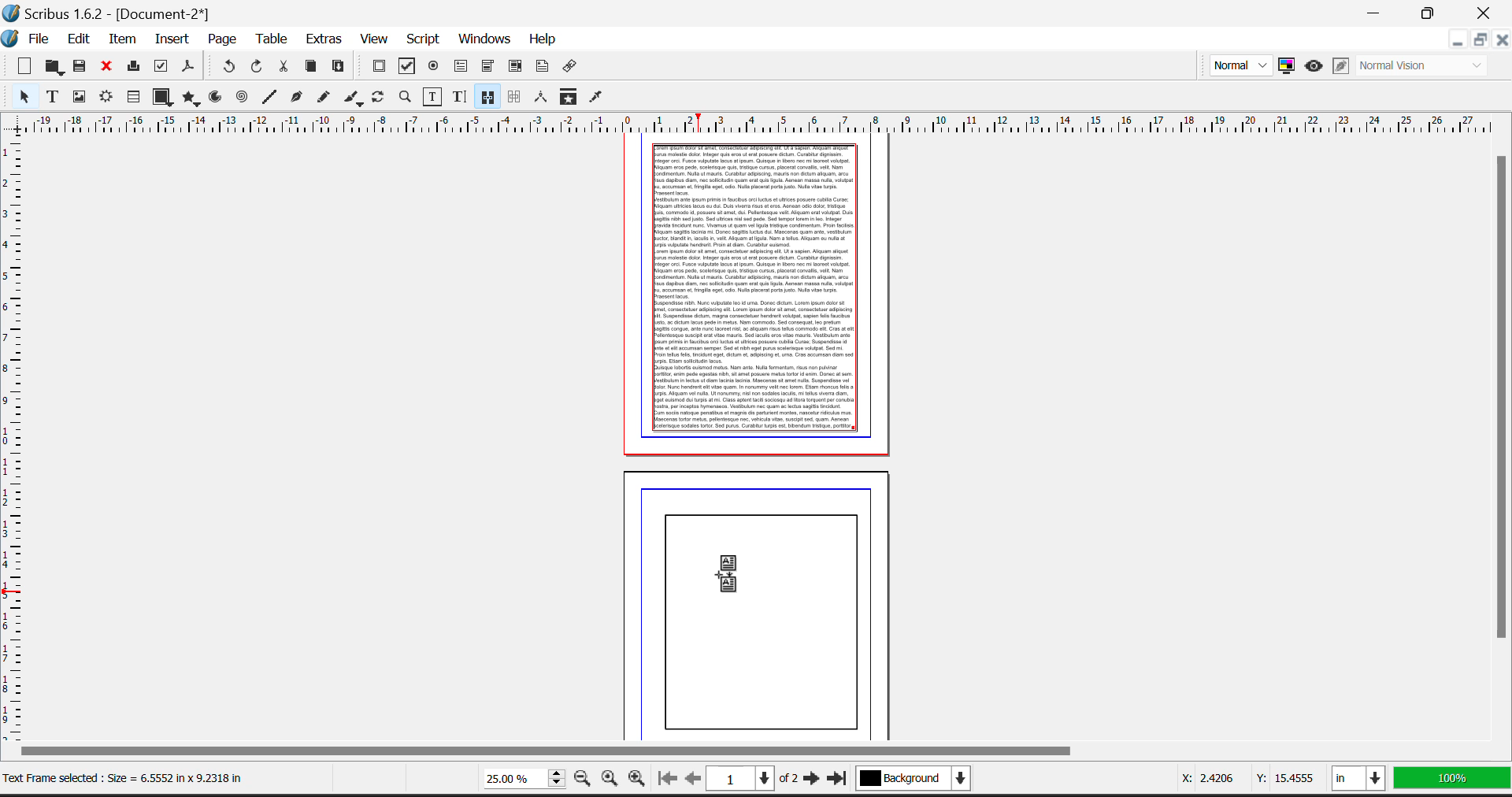 Image resolution: width=1512 pixels, height=797 pixels. Describe the element at coordinates (133, 98) in the screenshot. I see `Tables` at that location.